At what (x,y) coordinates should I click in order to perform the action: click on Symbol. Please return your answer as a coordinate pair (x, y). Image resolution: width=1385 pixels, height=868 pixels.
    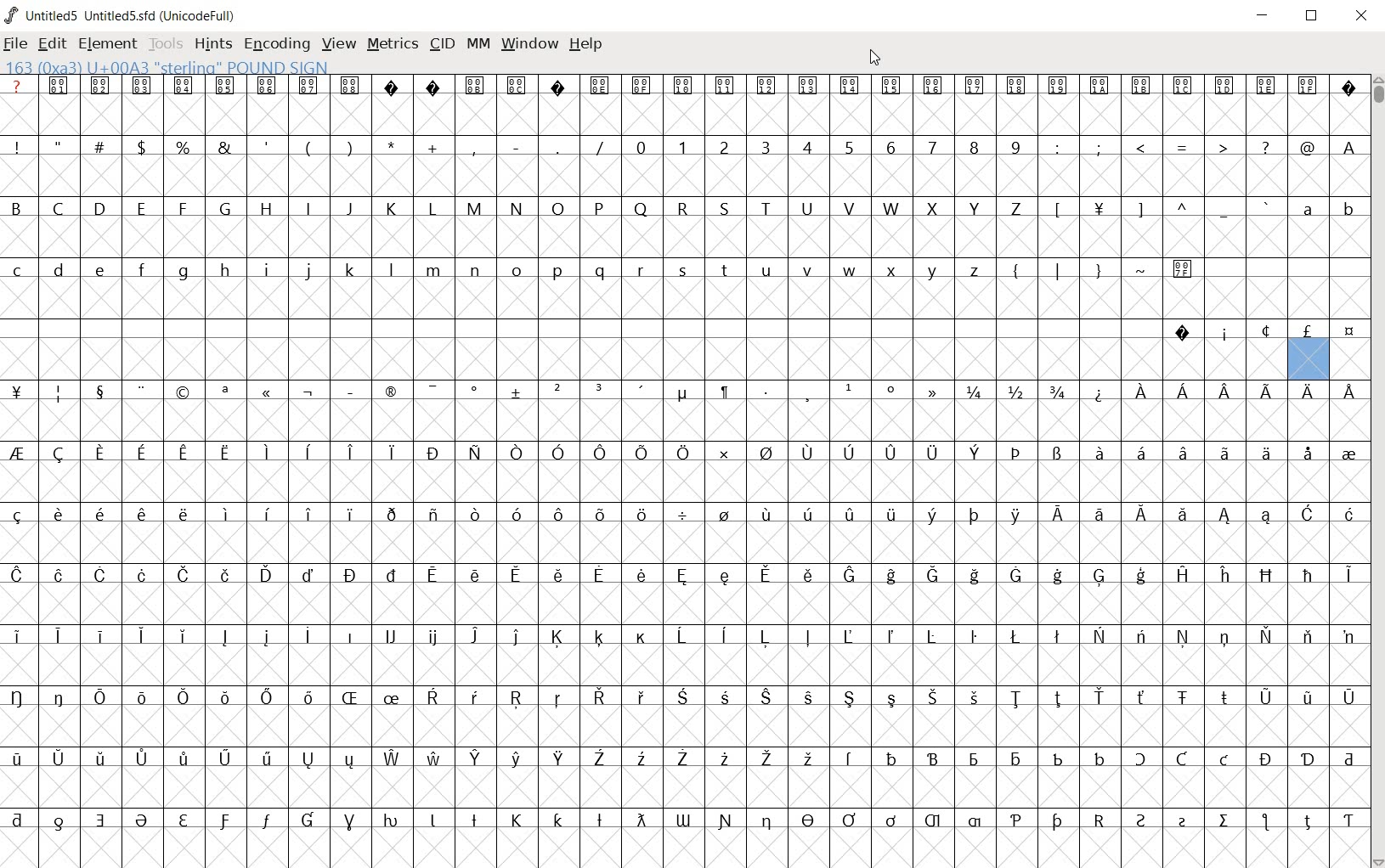
    Looking at the image, I should click on (143, 84).